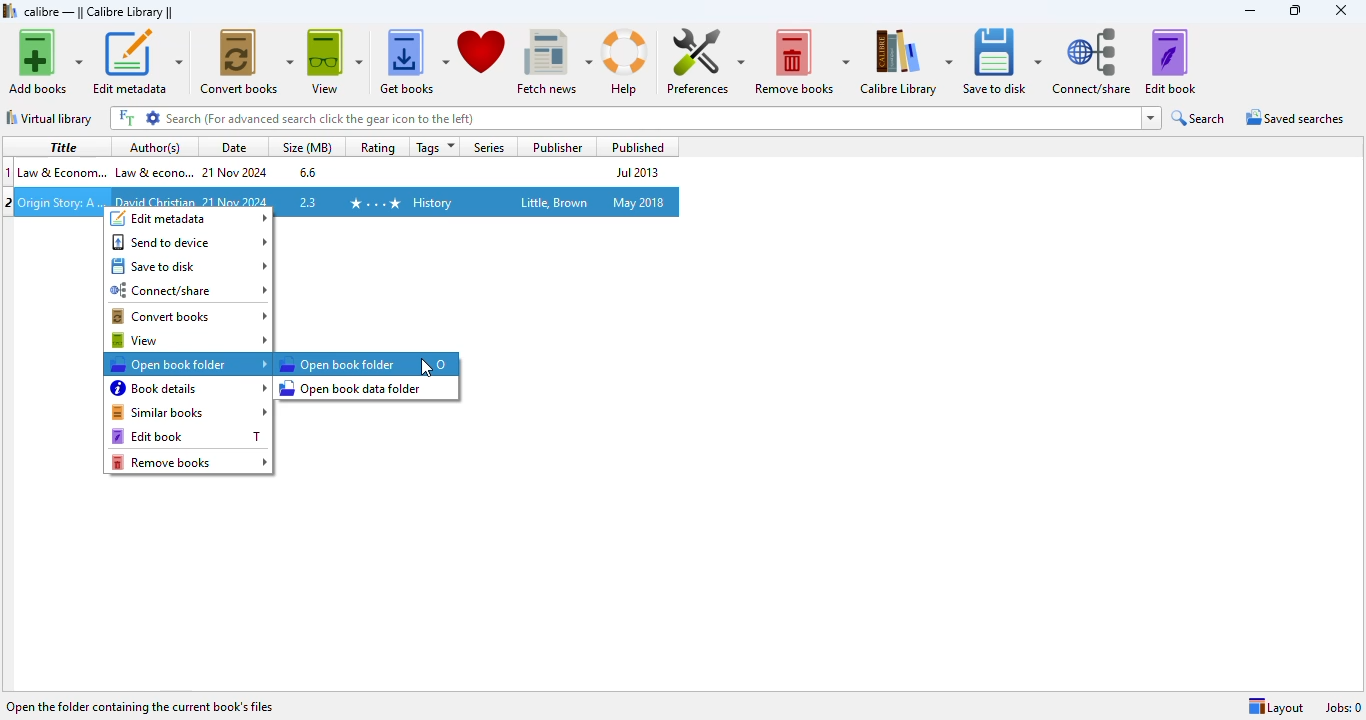 The height and width of the screenshot is (720, 1366). I want to click on edit book, so click(1170, 62).